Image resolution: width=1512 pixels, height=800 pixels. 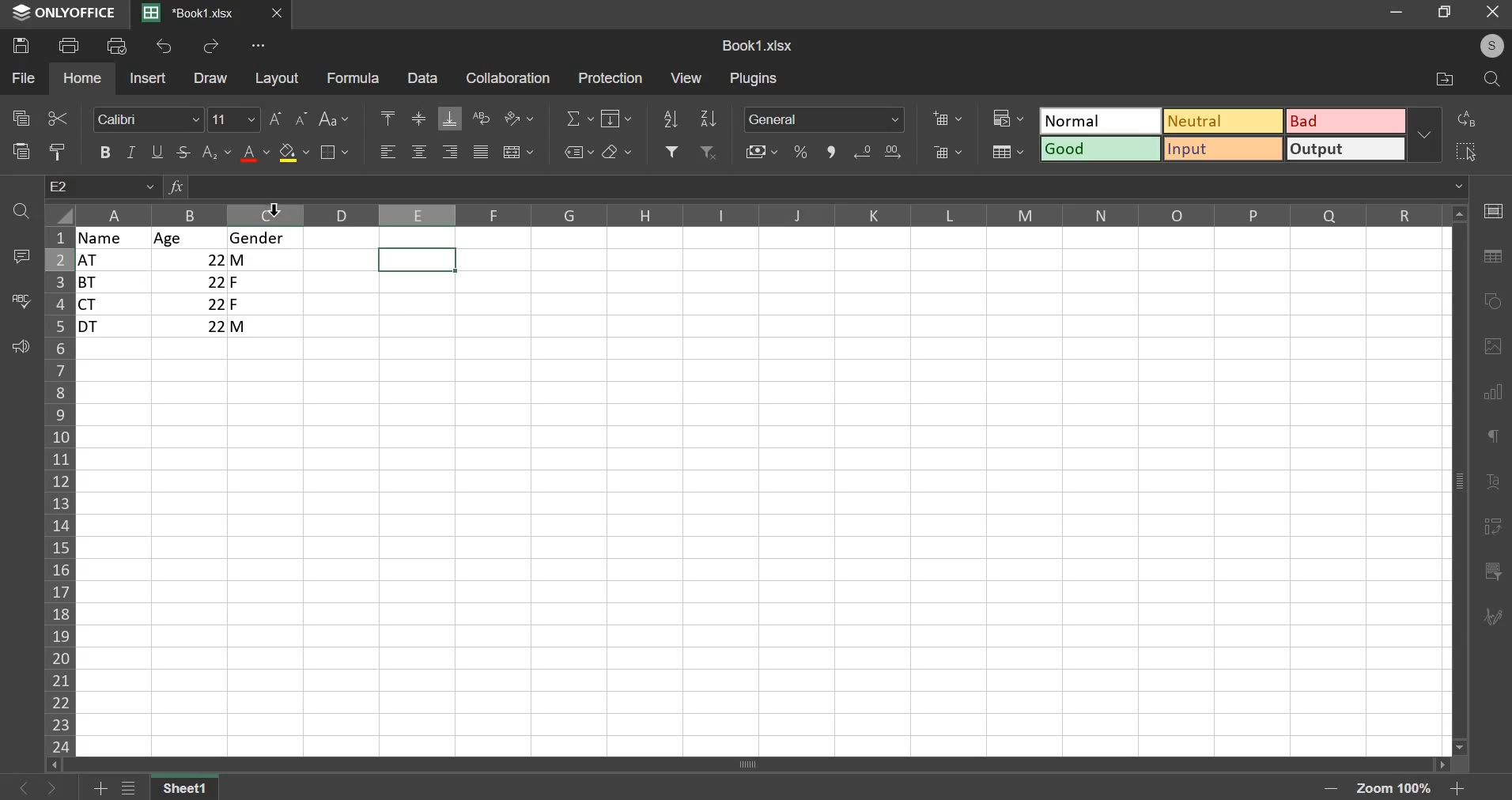 What do you see at coordinates (1468, 119) in the screenshot?
I see `replace` at bounding box center [1468, 119].